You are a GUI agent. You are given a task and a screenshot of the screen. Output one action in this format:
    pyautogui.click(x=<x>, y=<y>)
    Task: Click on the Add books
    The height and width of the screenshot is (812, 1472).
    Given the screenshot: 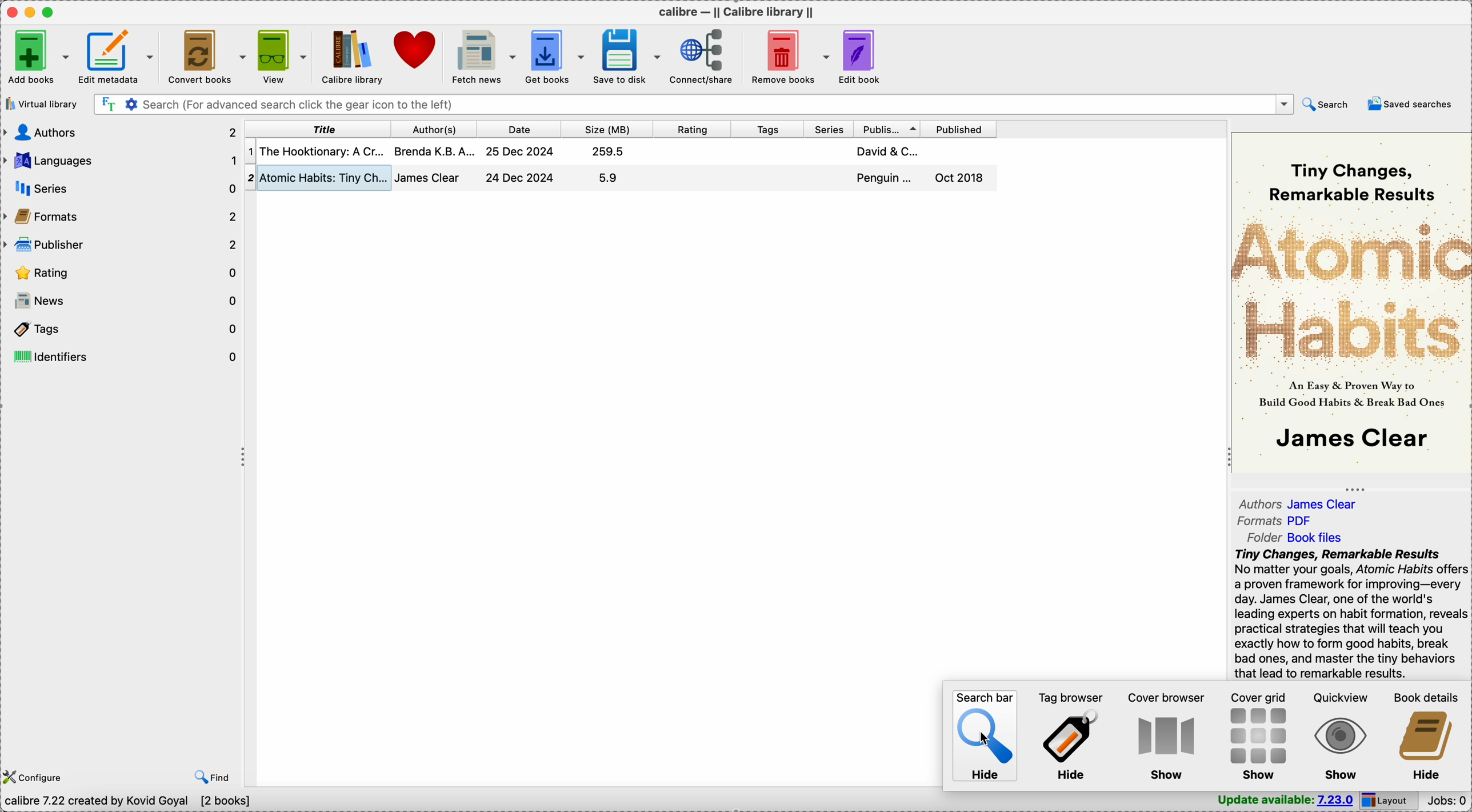 What is the action you would take?
    pyautogui.click(x=37, y=58)
    